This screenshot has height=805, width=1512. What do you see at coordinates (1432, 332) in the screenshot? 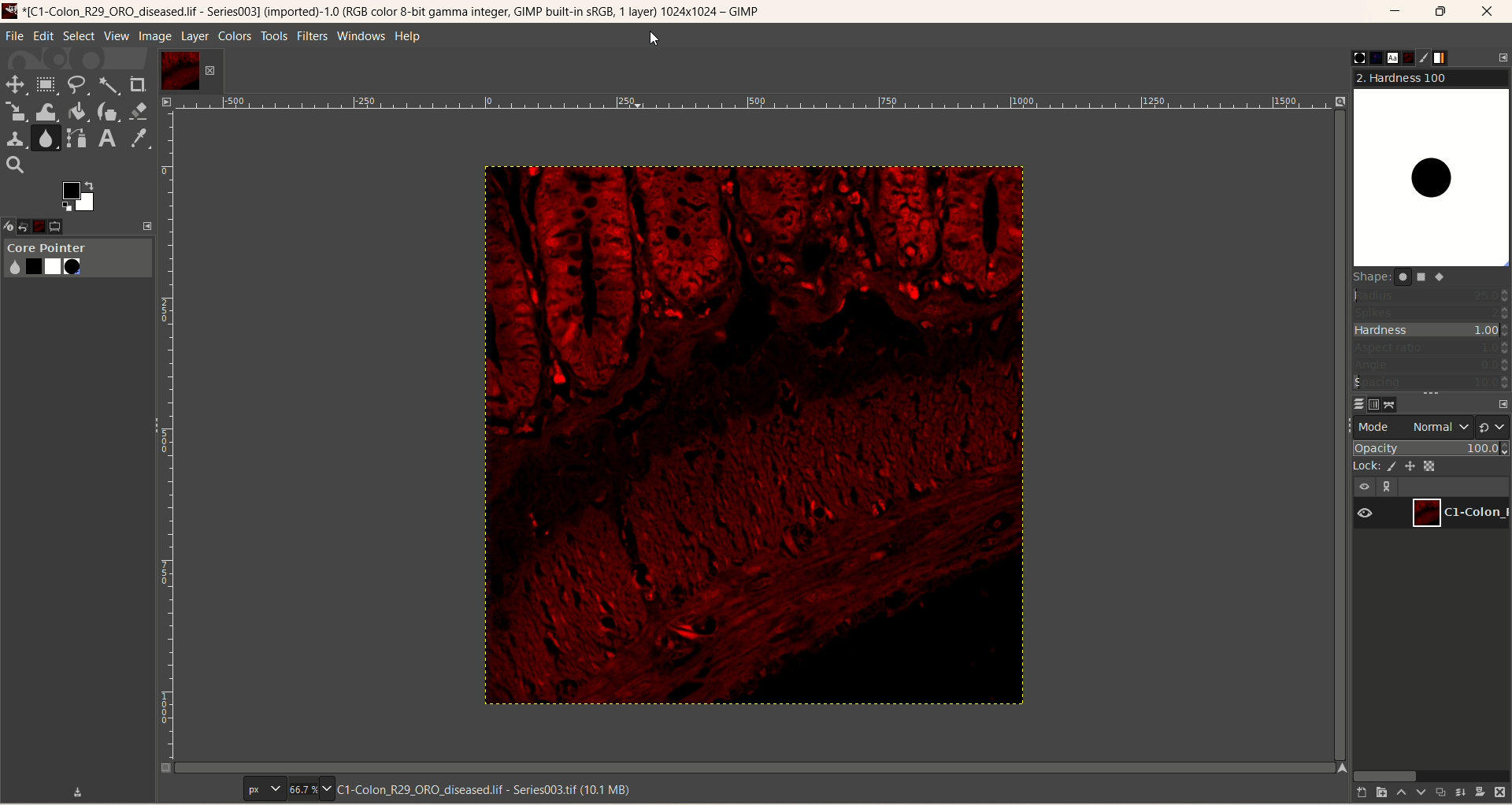
I see `hardness` at bounding box center [1432, 332].